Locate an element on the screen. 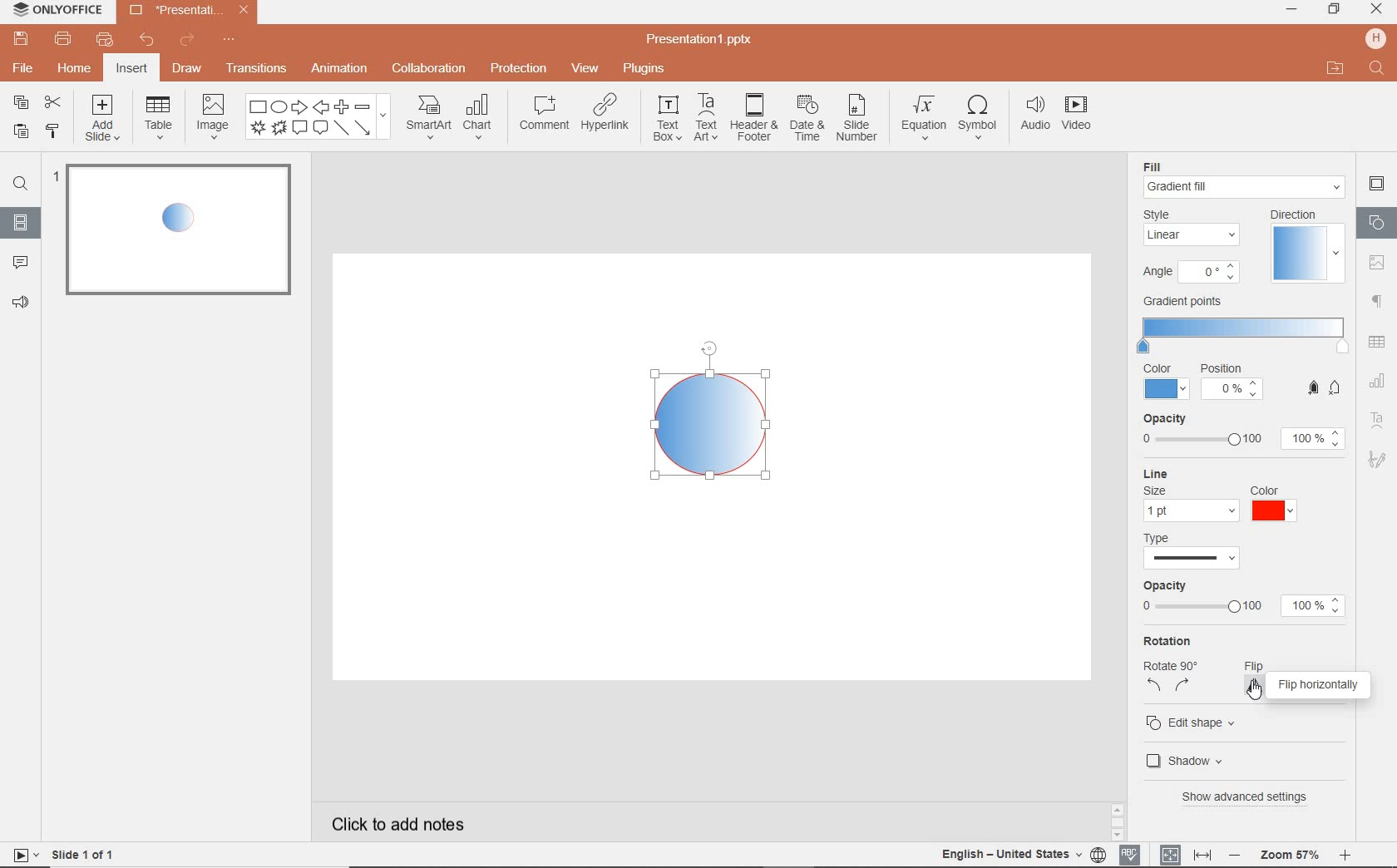 The image size is (1397, 868). fit to slide is located at coordinates (1171, 854).